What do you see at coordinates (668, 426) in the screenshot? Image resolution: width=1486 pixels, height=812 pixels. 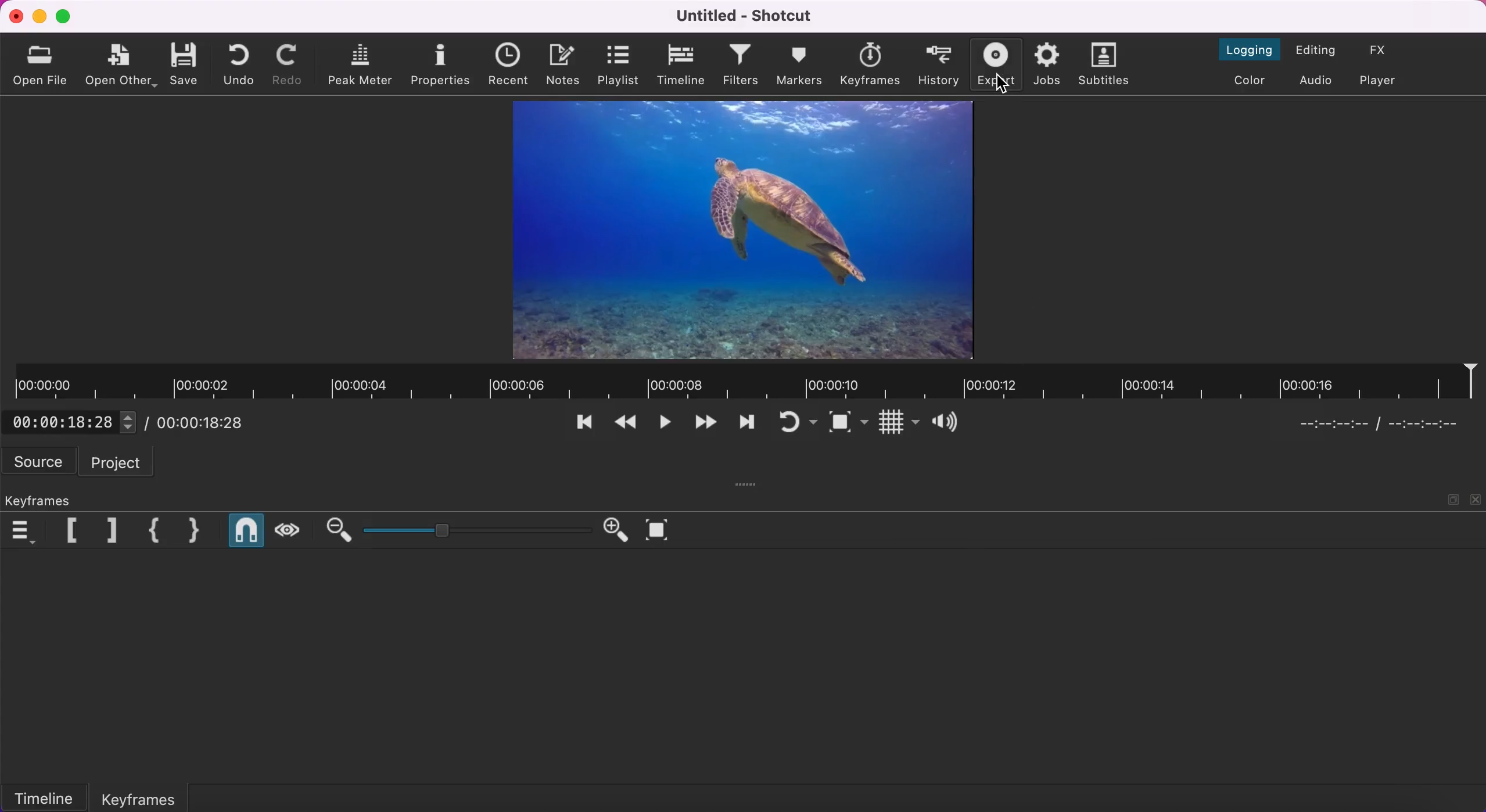 I see `toggle play or pause` at bounding box center [668, 426].